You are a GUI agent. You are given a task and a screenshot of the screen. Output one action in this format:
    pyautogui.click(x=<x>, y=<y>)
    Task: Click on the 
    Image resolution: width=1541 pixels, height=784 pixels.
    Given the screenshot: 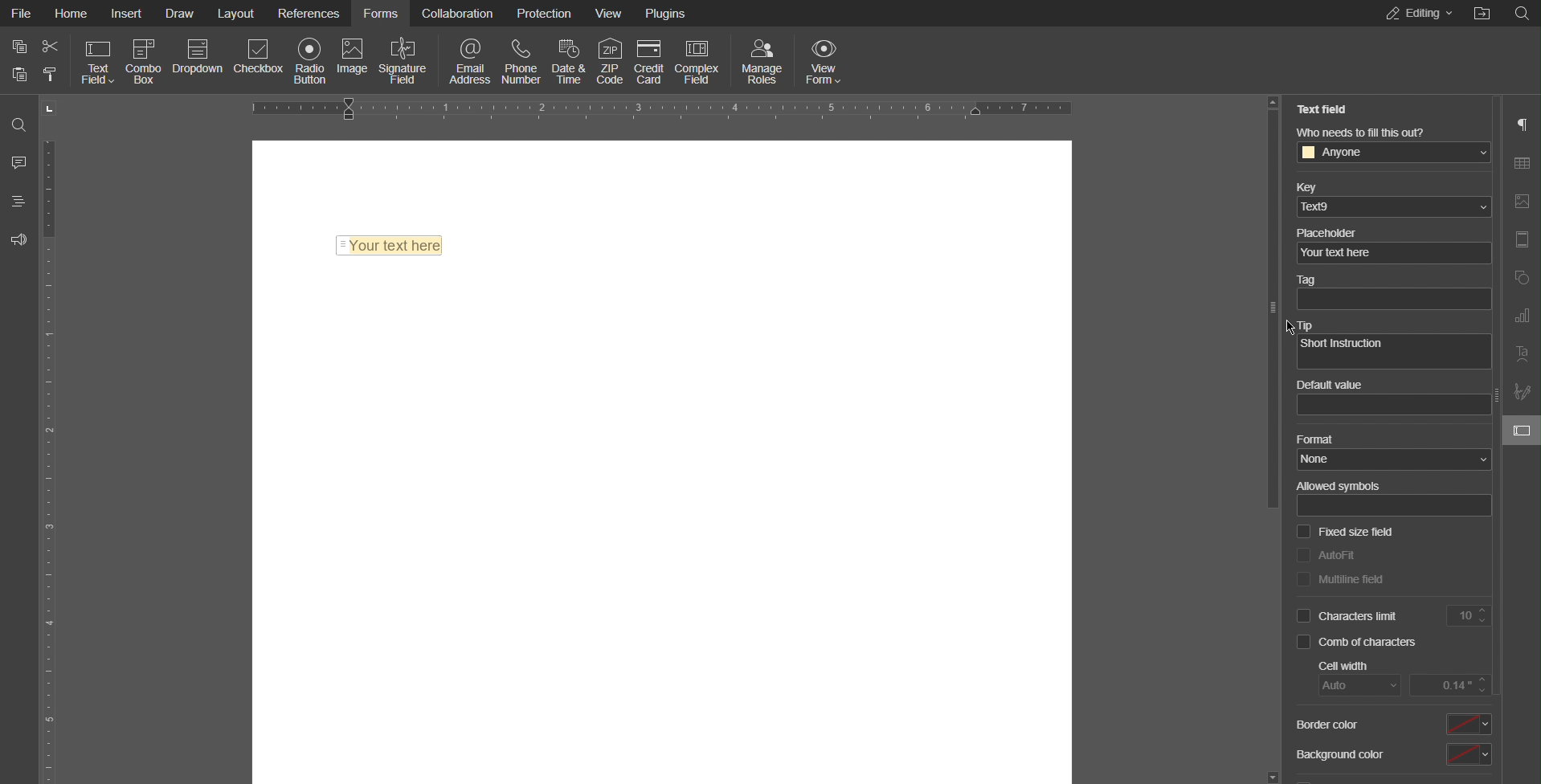 What is the action you would take?
    pyautogui.click(x=1520, y=16)
    